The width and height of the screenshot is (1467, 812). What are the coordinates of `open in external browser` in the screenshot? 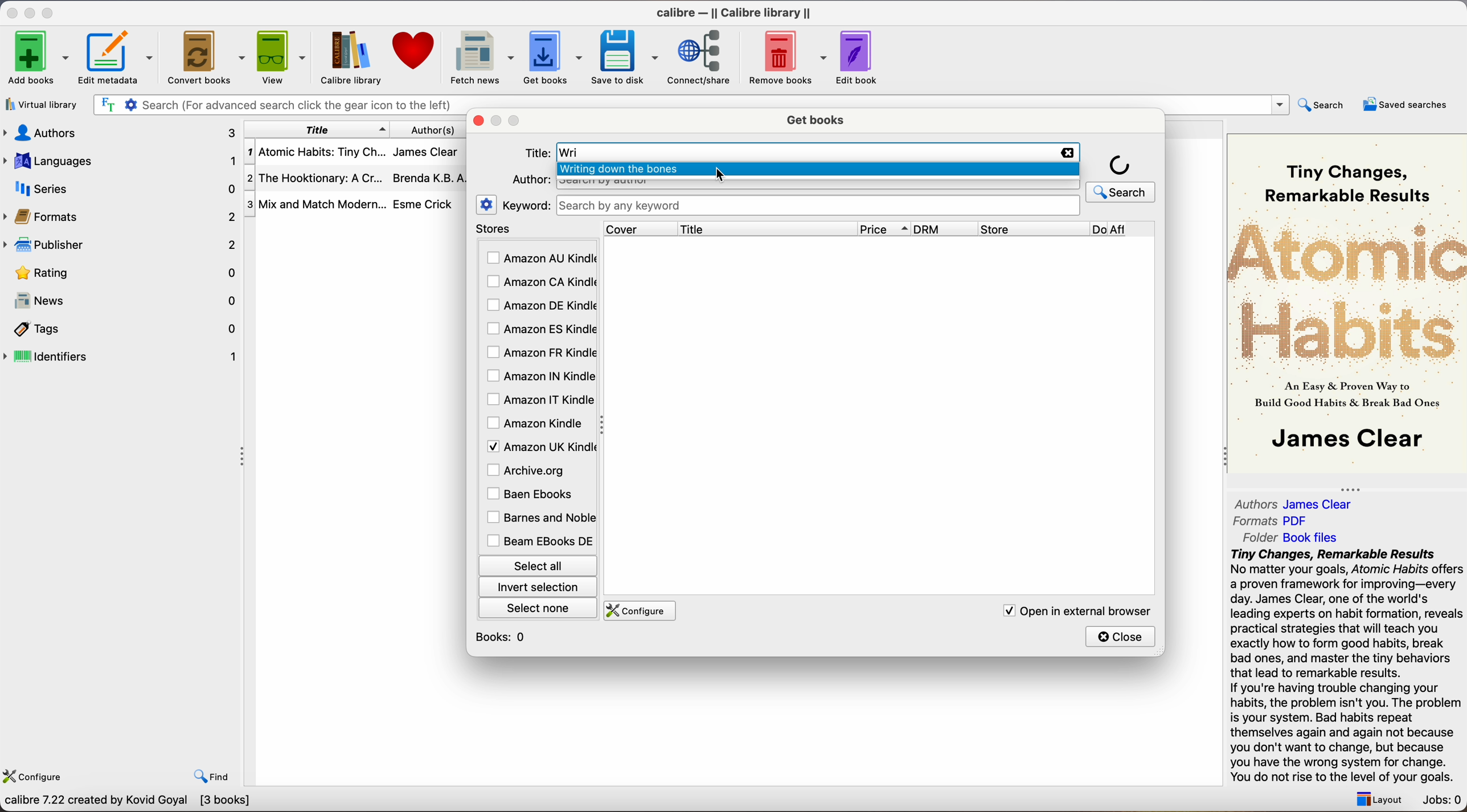 It's located at (1073, 610).